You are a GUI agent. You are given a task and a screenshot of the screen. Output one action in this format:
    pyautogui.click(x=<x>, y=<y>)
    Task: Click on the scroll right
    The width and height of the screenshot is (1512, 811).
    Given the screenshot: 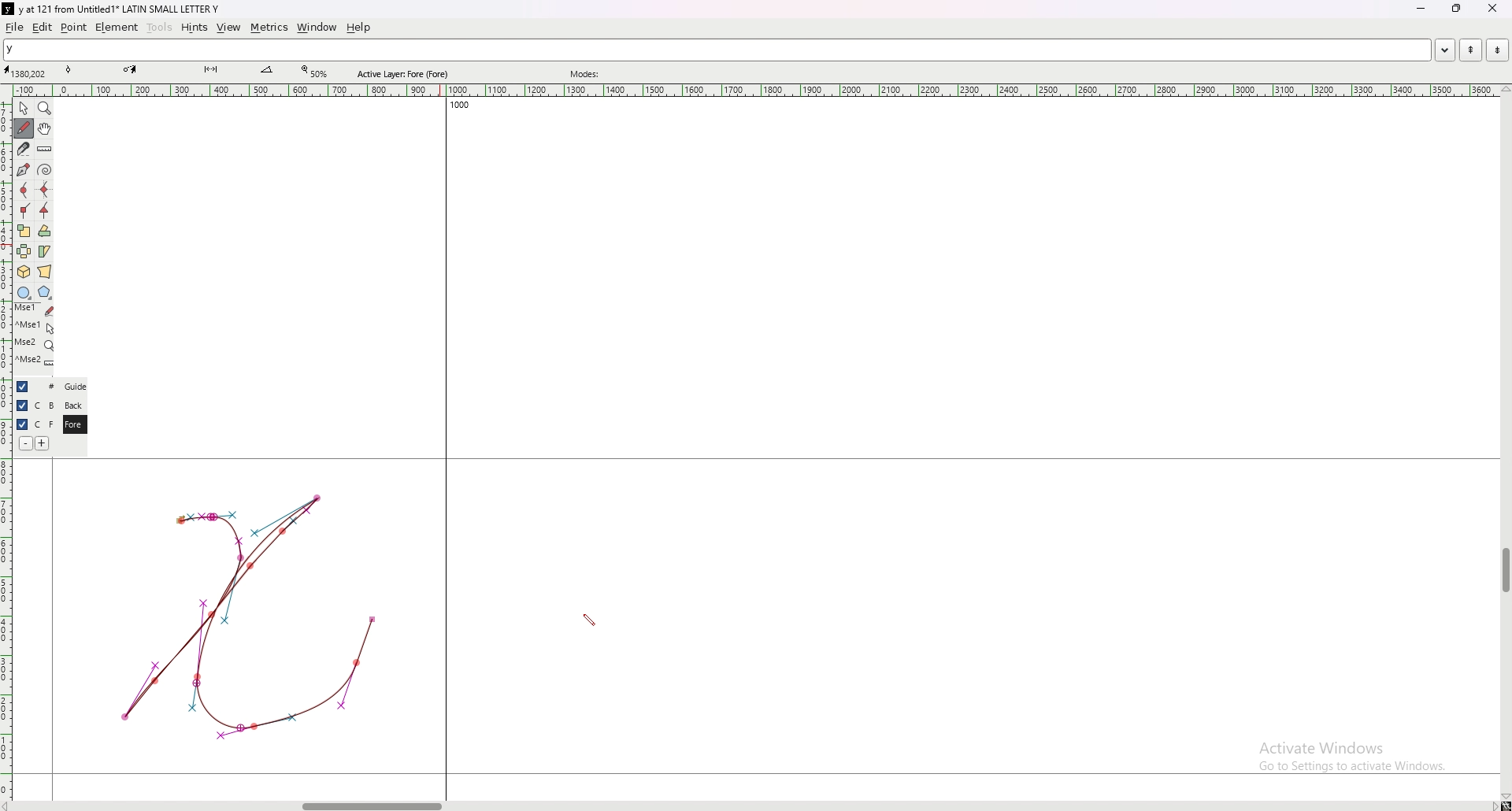 What is the action you would take?
    pyautogui.click(x=1493, y=805)
    